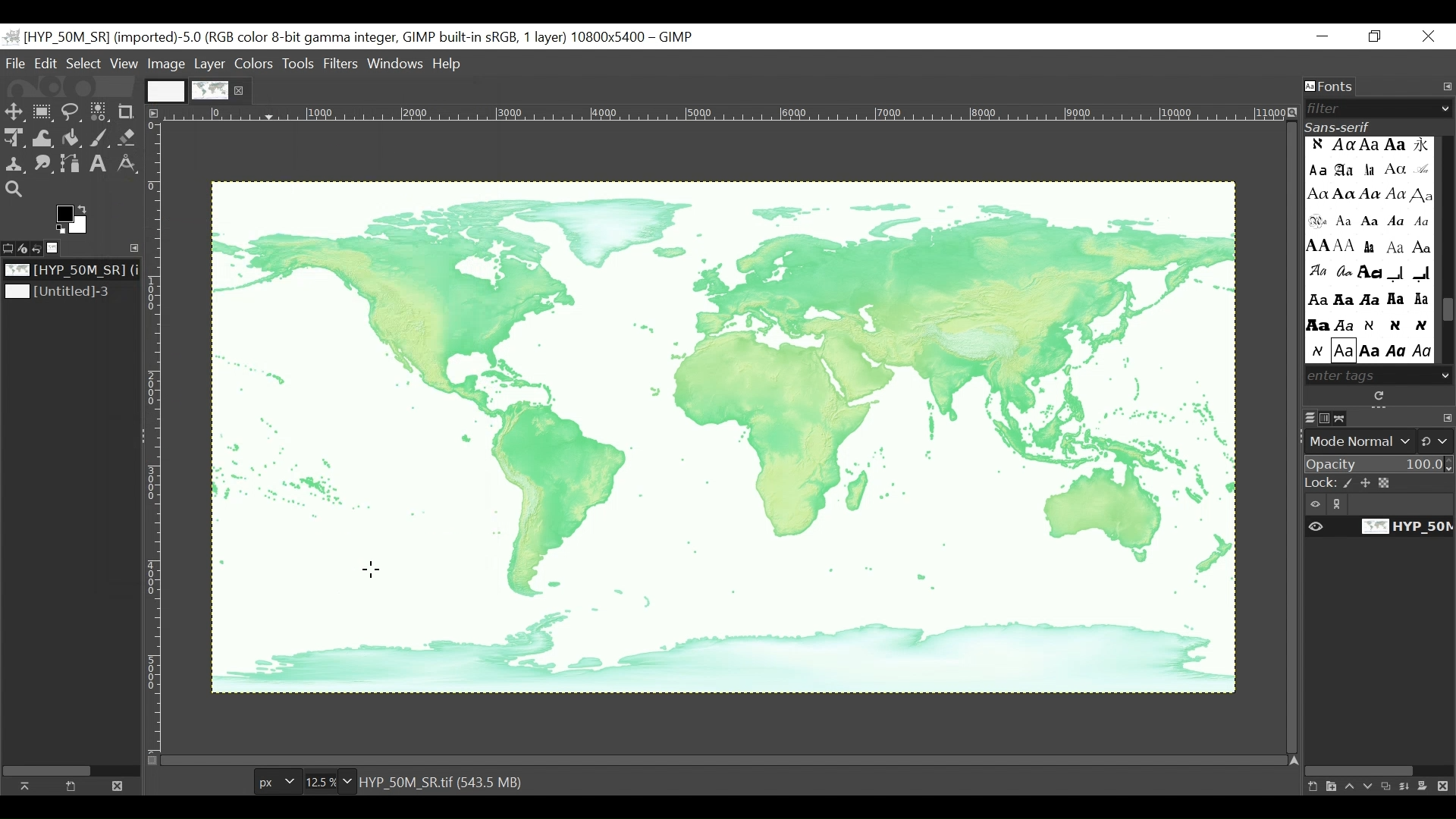 The width and height of the screenshot is (1456, 819). Describe the element at coordinates (71, 115) in the screenshot. I see `Free To` at that location.